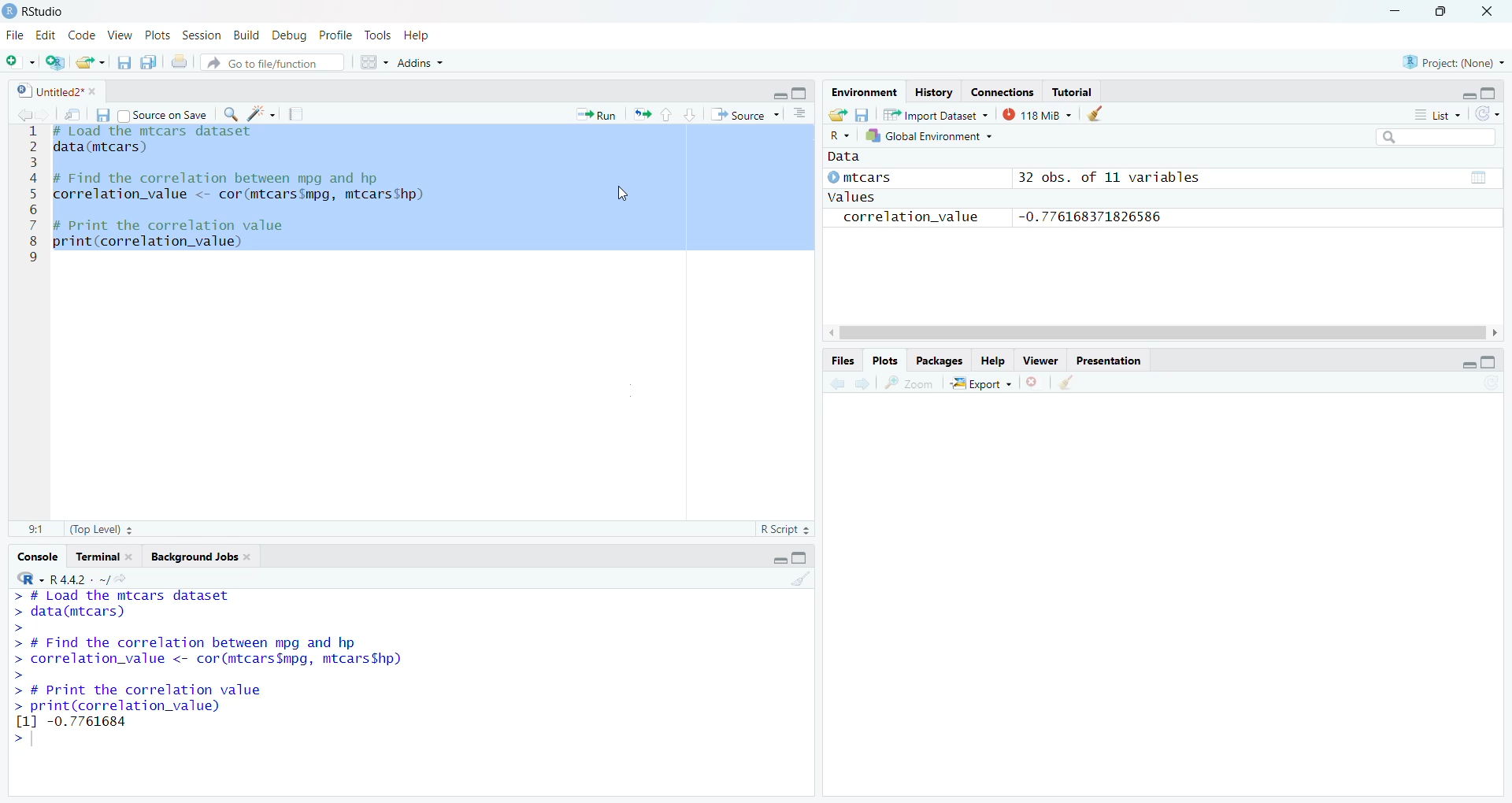 The image size is (1512, 803). Describe the element at coordinates (147, 63) in the screenshot. I see `Save all open documents (Ctrl + Alt + S)` at that location.